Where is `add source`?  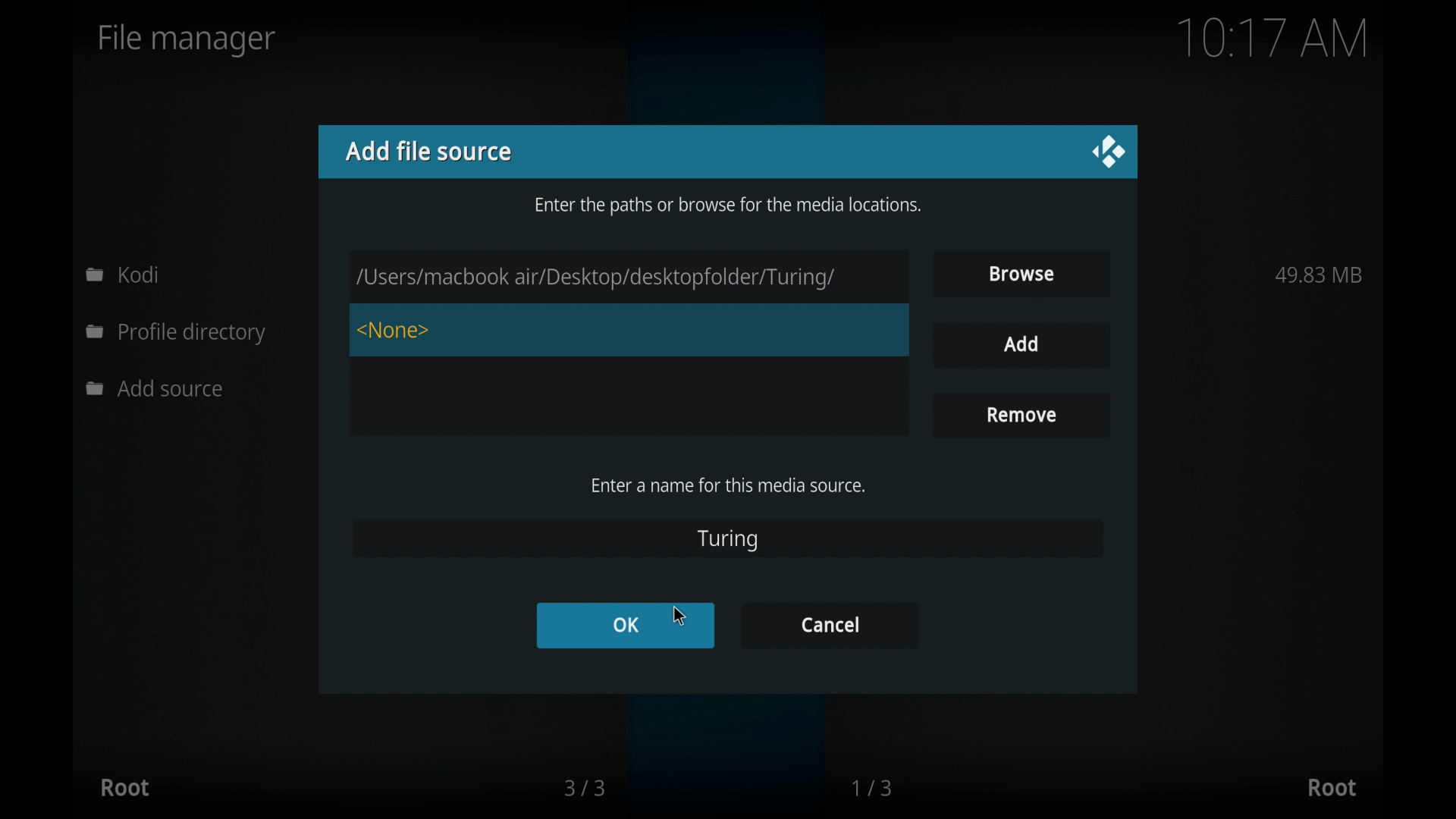
add source is located at coordinates (158, 389).